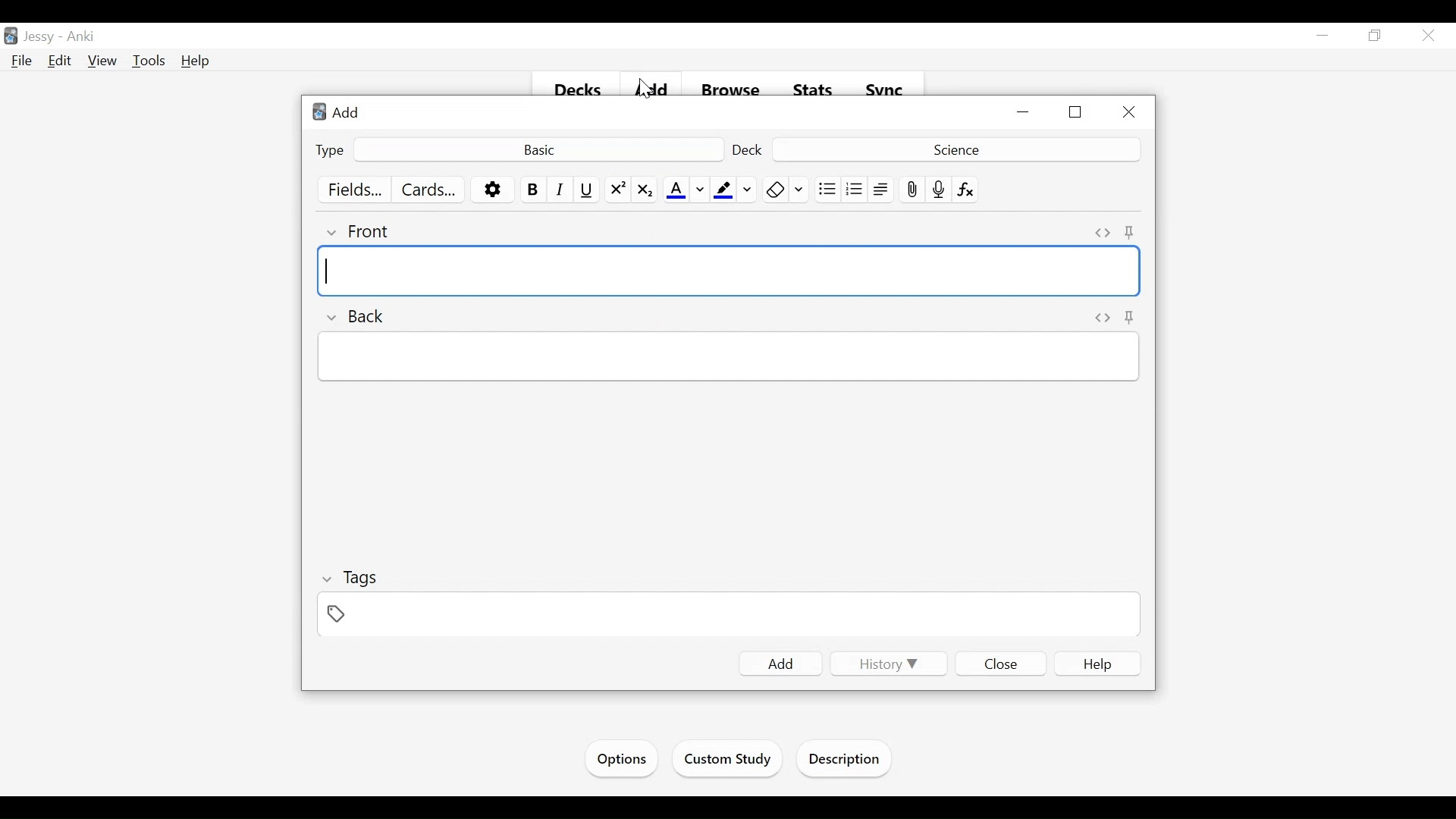 The height and width of the screenshot is (819, 1456). I want to click on Change Color, so click(748, 190).